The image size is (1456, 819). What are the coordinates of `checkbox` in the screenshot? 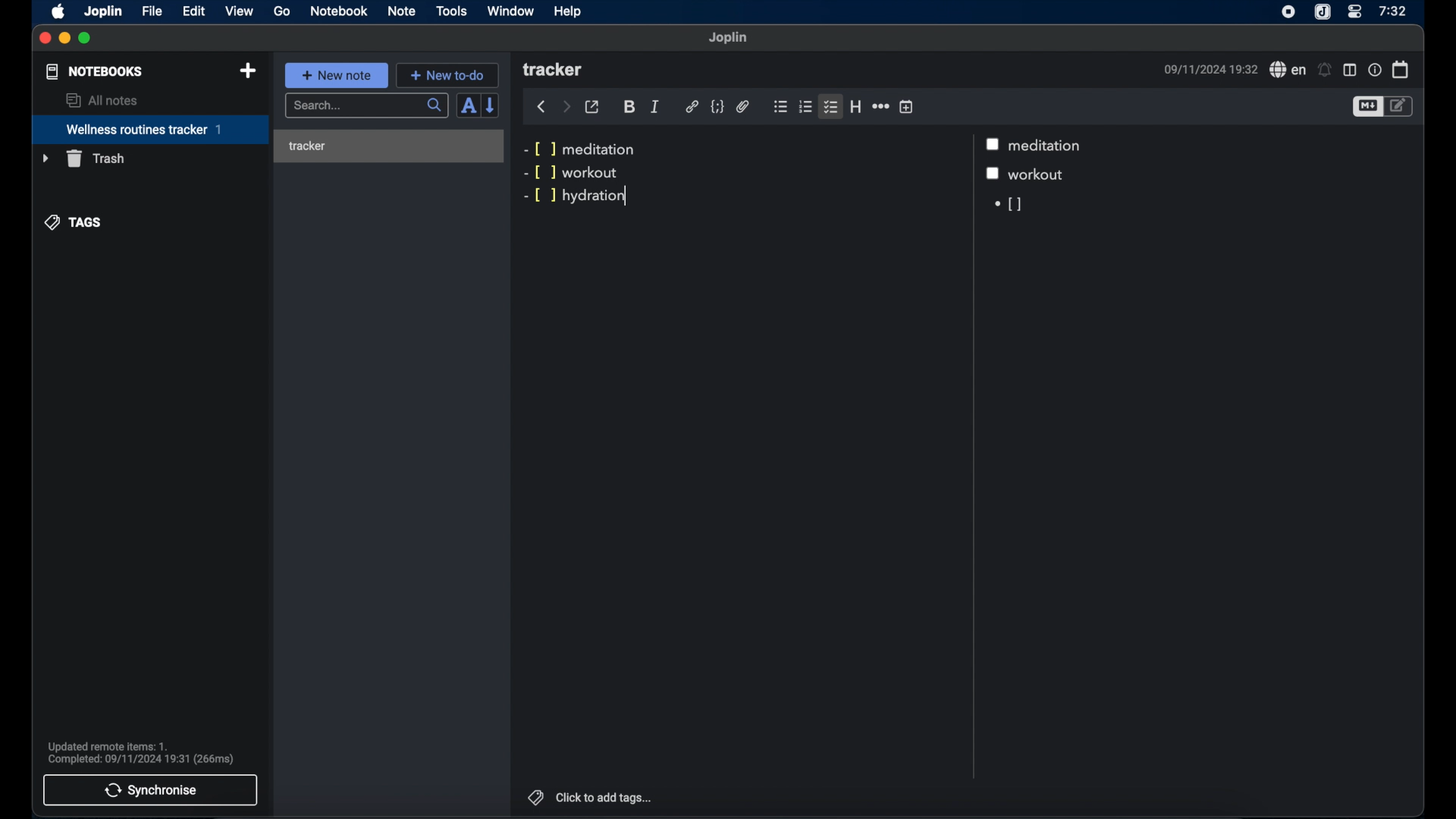 It's located at (996, 174).